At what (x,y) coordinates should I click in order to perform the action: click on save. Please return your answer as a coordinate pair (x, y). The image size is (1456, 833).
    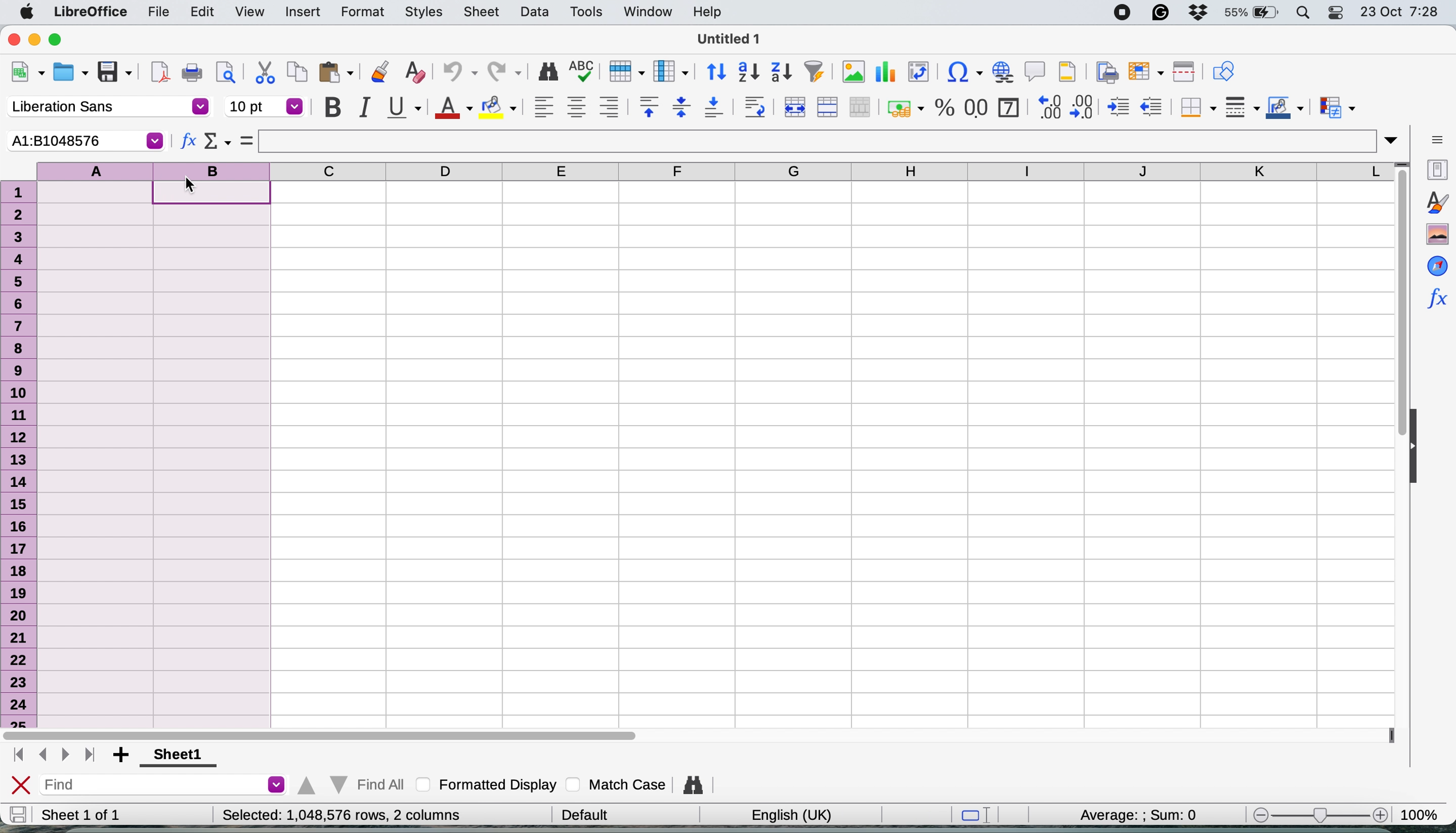
    Looking at the image, I should click on (18, 814).